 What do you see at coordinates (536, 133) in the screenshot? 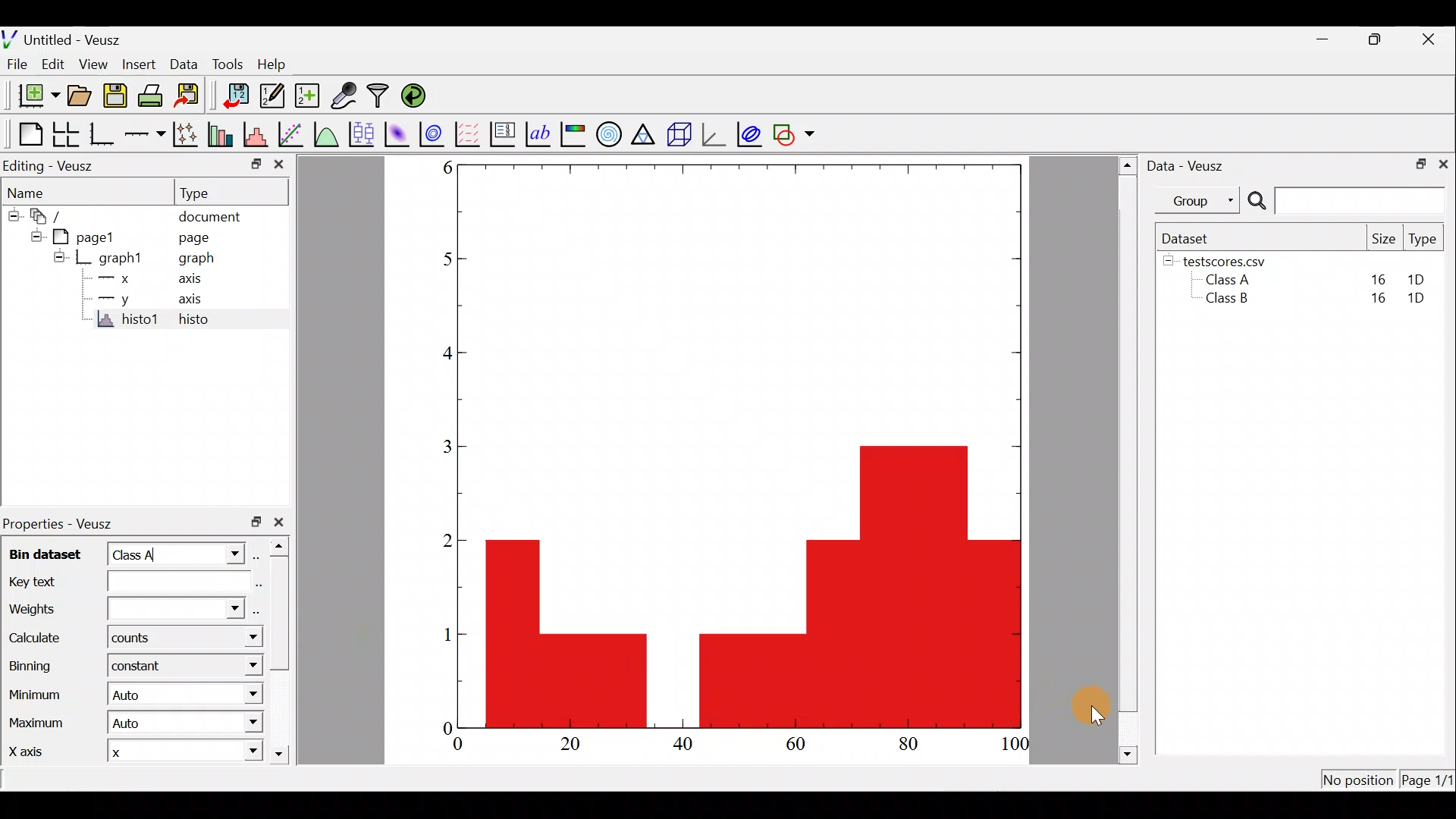
I see `Text label` at bounding box center [536, 133].